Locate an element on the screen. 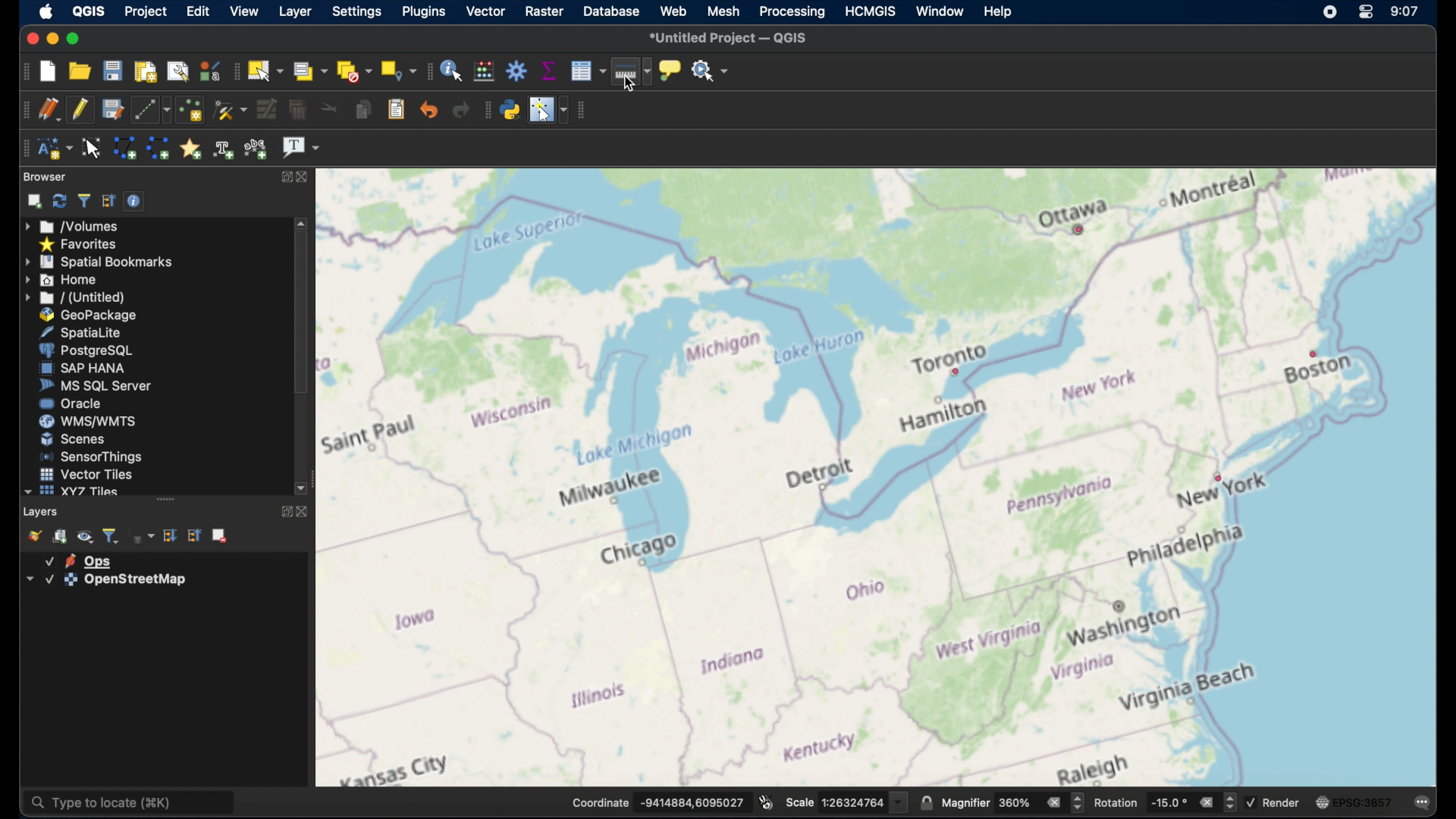  close is located at coordinates (307, 176).